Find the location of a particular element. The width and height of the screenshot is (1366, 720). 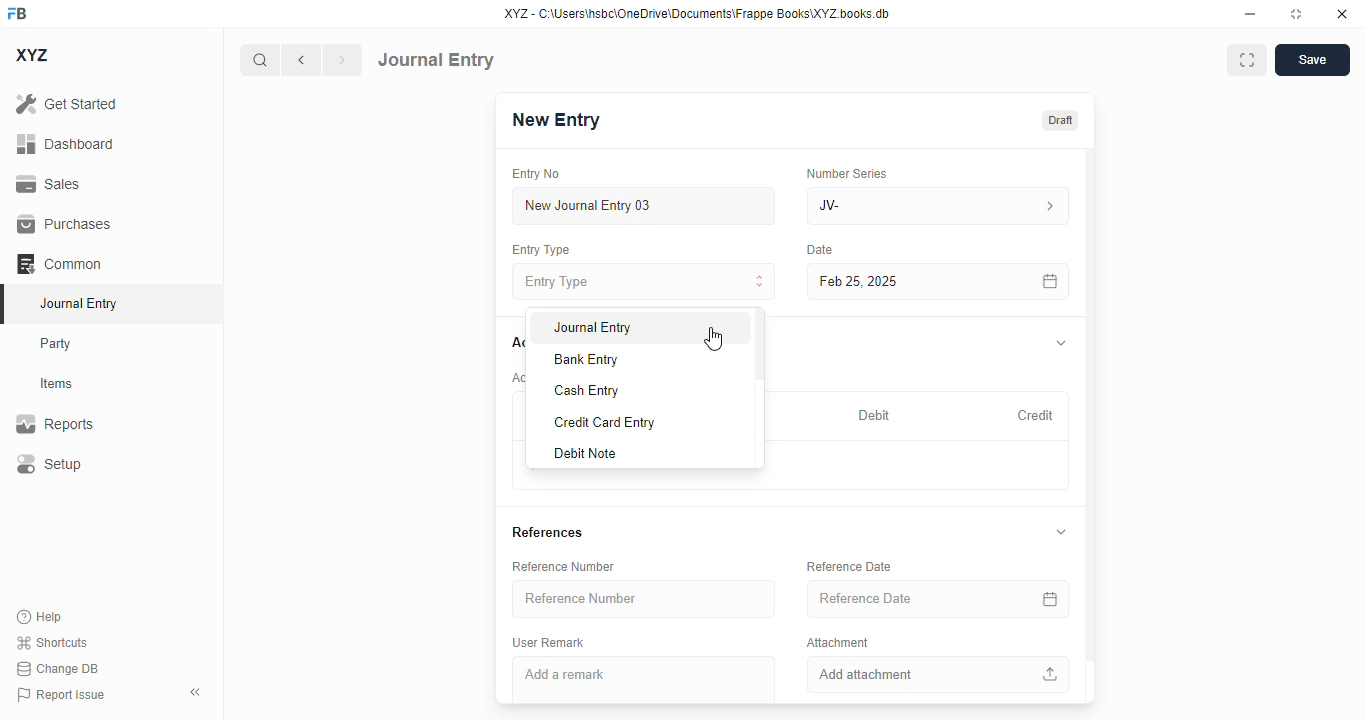

dashboard is located at coordinates (66, 144).